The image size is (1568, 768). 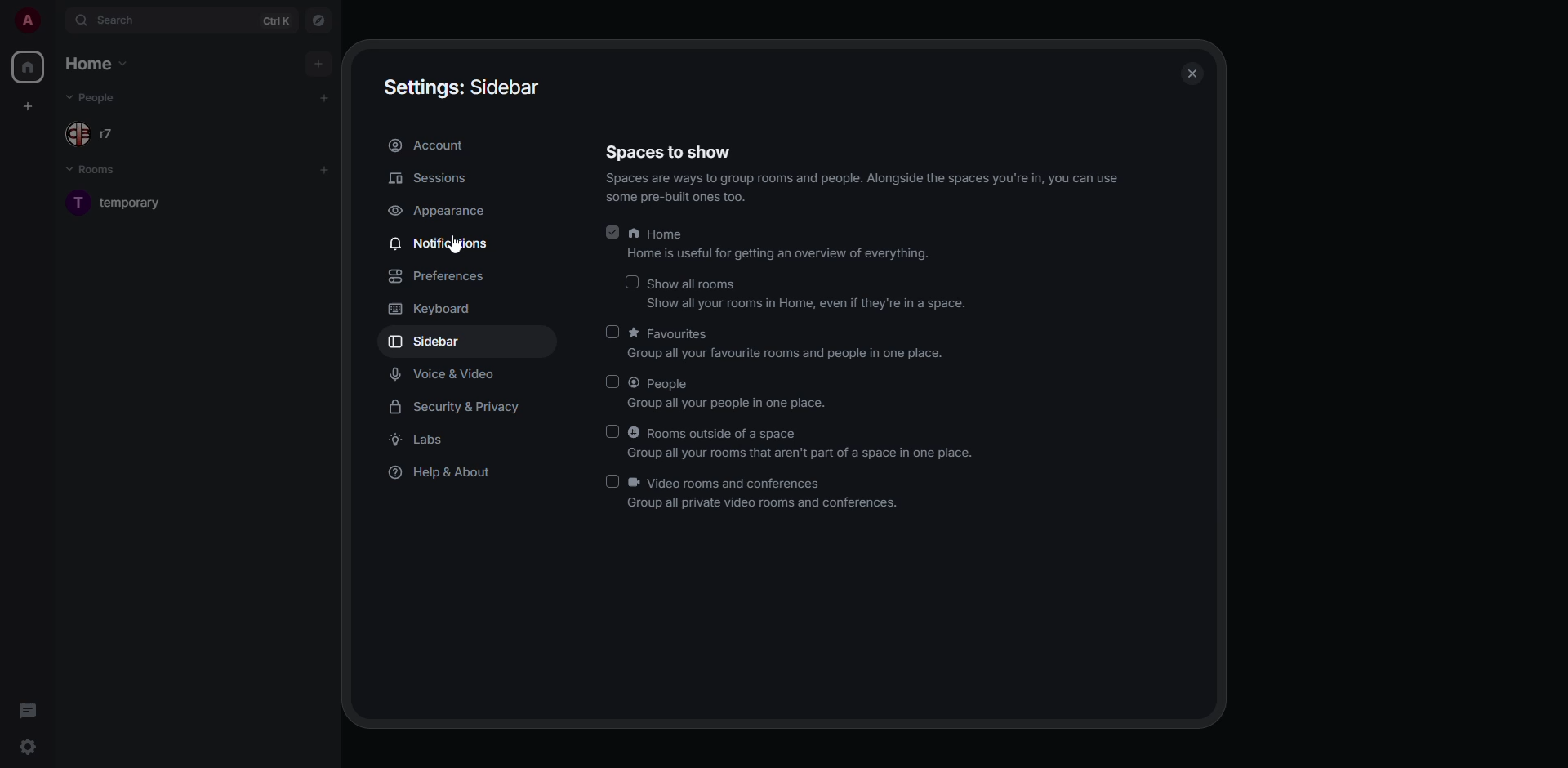 I want to click on people, so click(x=733, y=393).